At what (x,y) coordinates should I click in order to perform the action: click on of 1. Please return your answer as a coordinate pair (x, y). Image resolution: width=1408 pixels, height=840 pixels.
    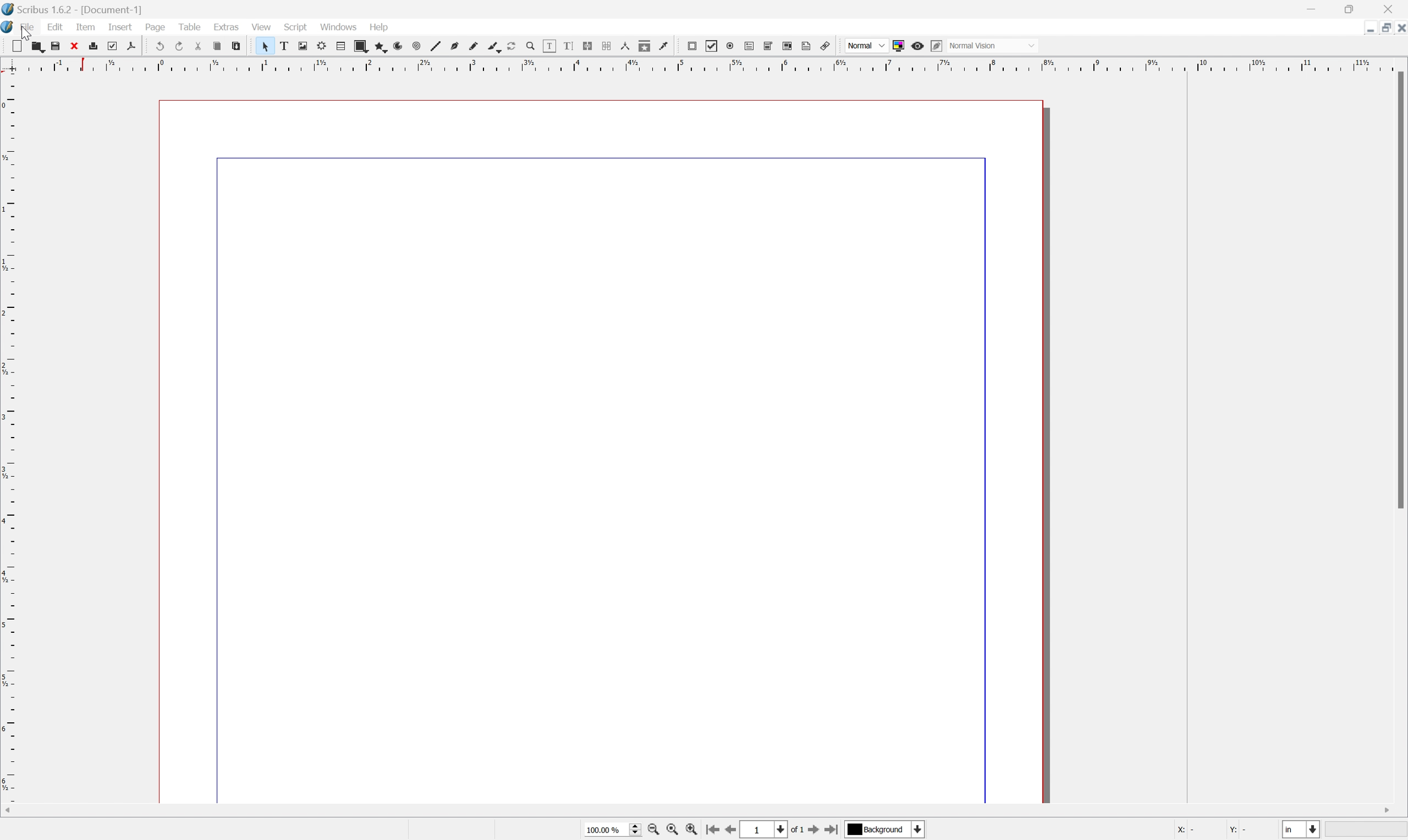
    Looking at the image, I should click on (795, 829).